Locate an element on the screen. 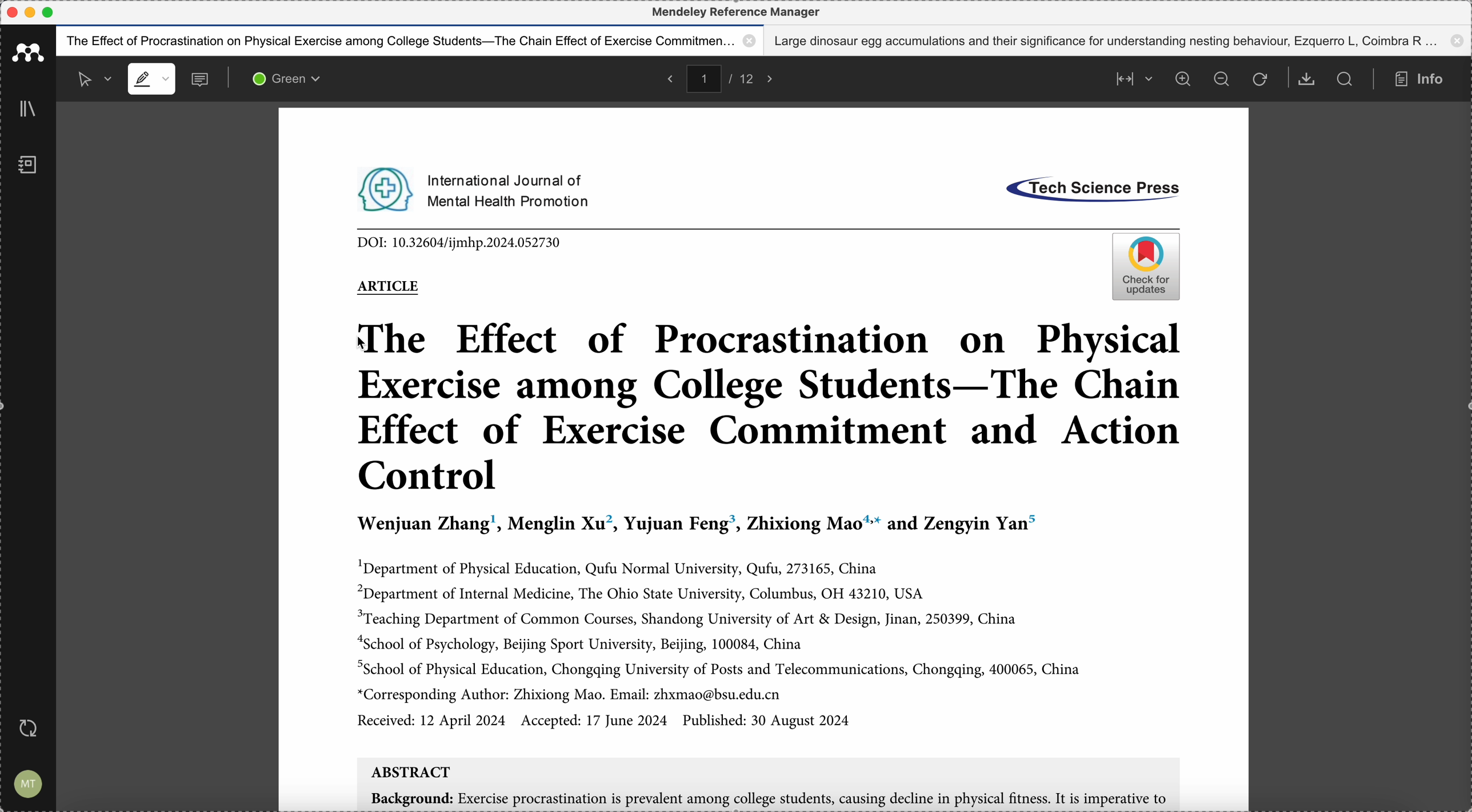  foward is located at coordinates (774, 78).